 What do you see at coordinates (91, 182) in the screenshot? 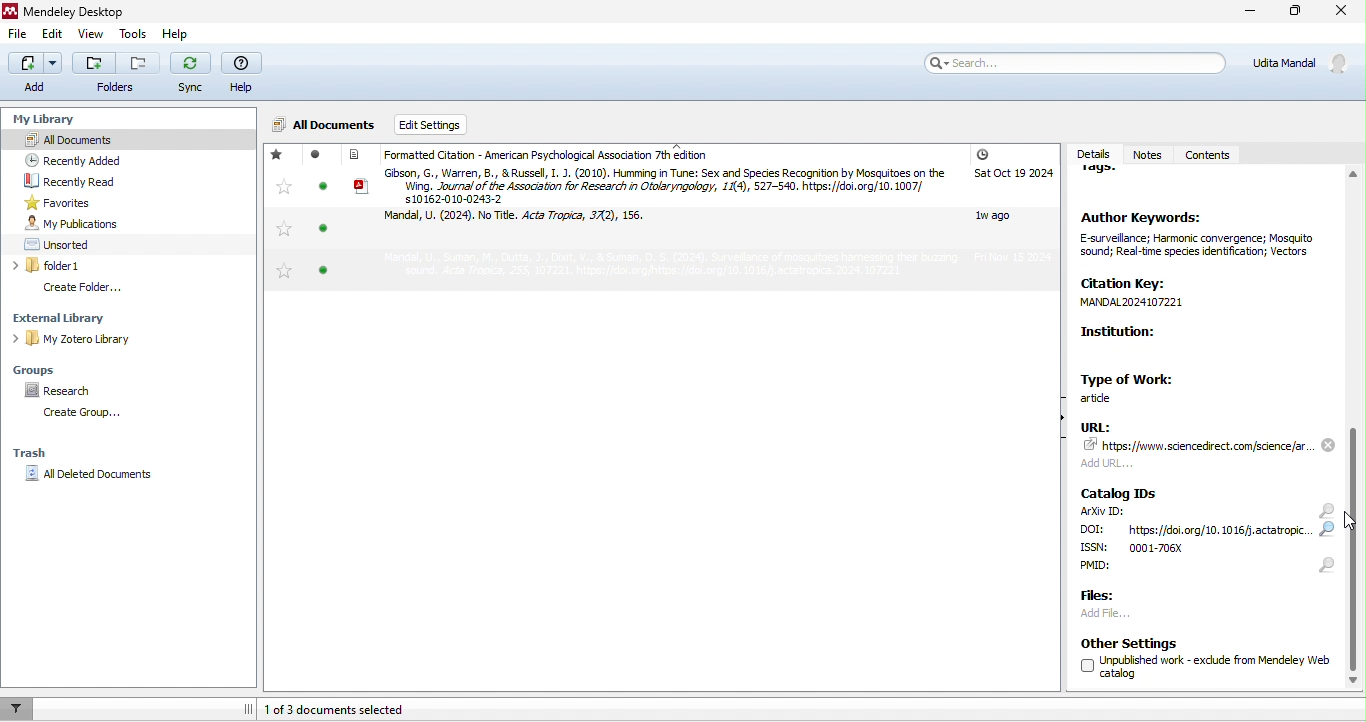
I see `recently read` at bounding box center [91, 182].